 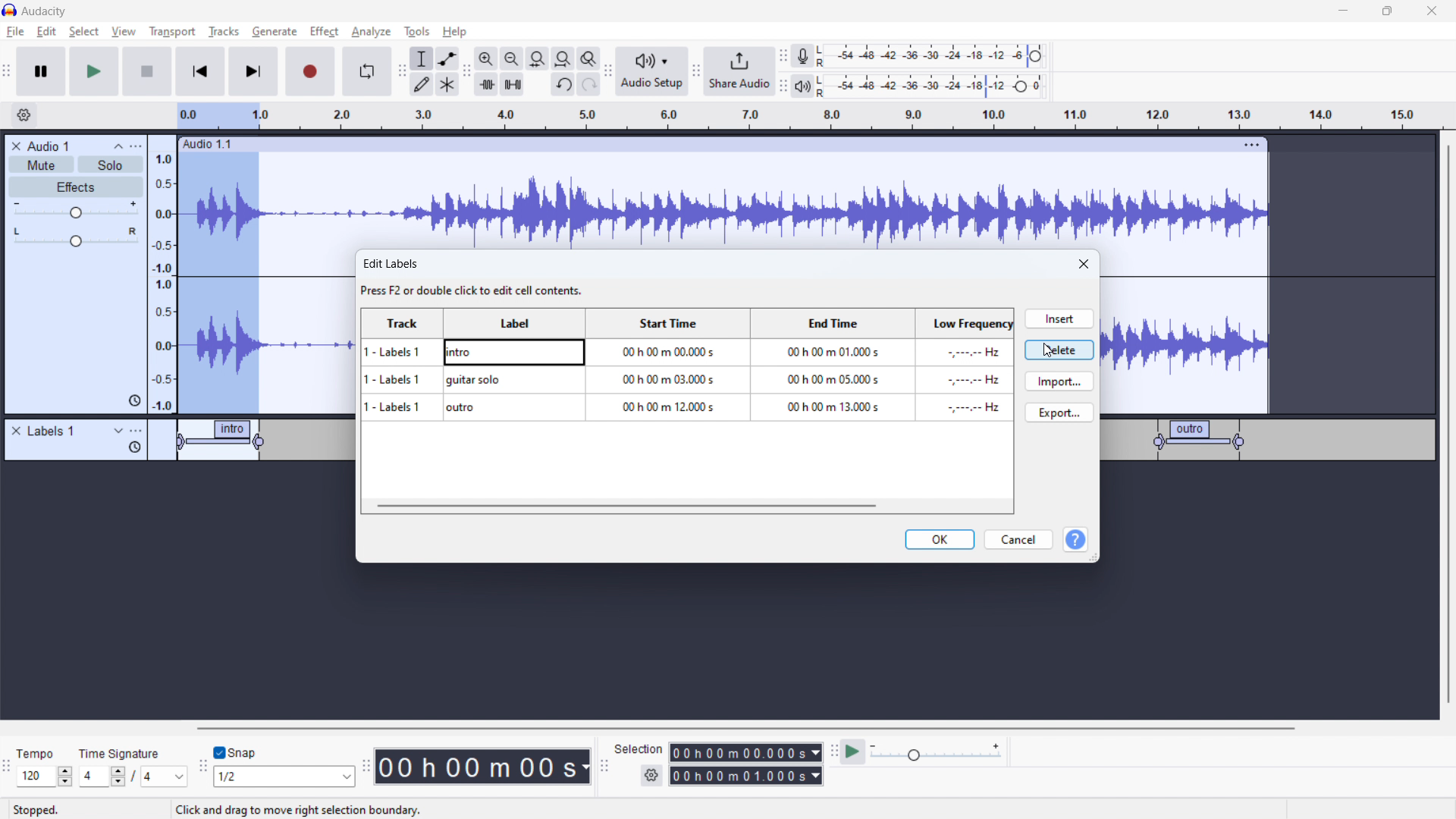 I want to click on selection tool, so click(x=422, y=58).